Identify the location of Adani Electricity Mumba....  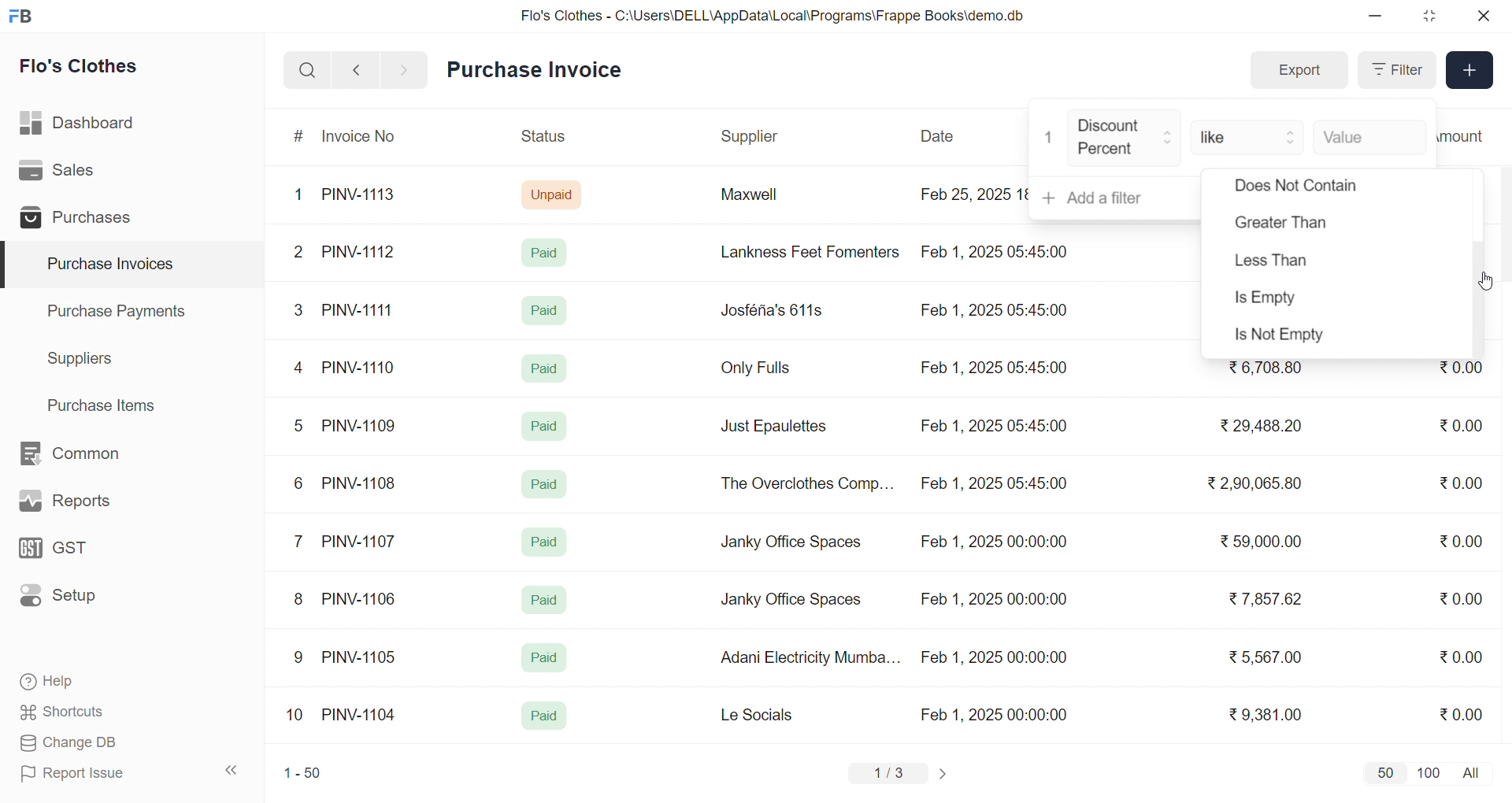
(812, 658).